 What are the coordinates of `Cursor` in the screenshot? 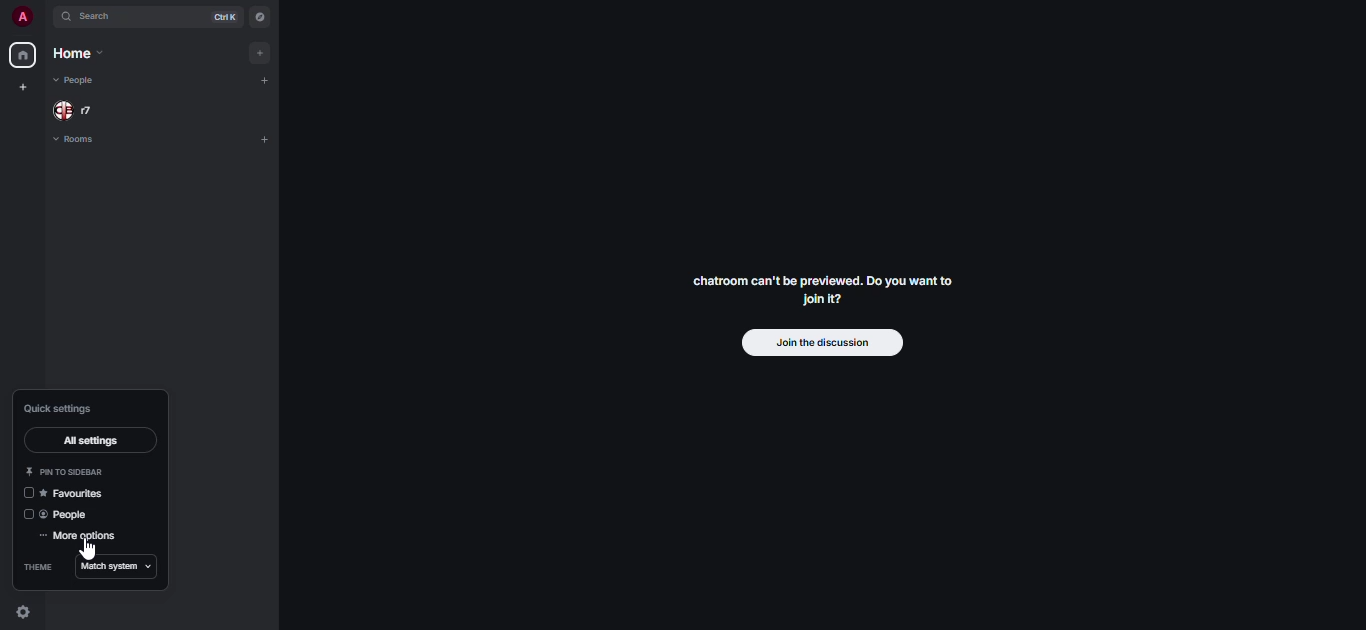 It's located at (93, 547).